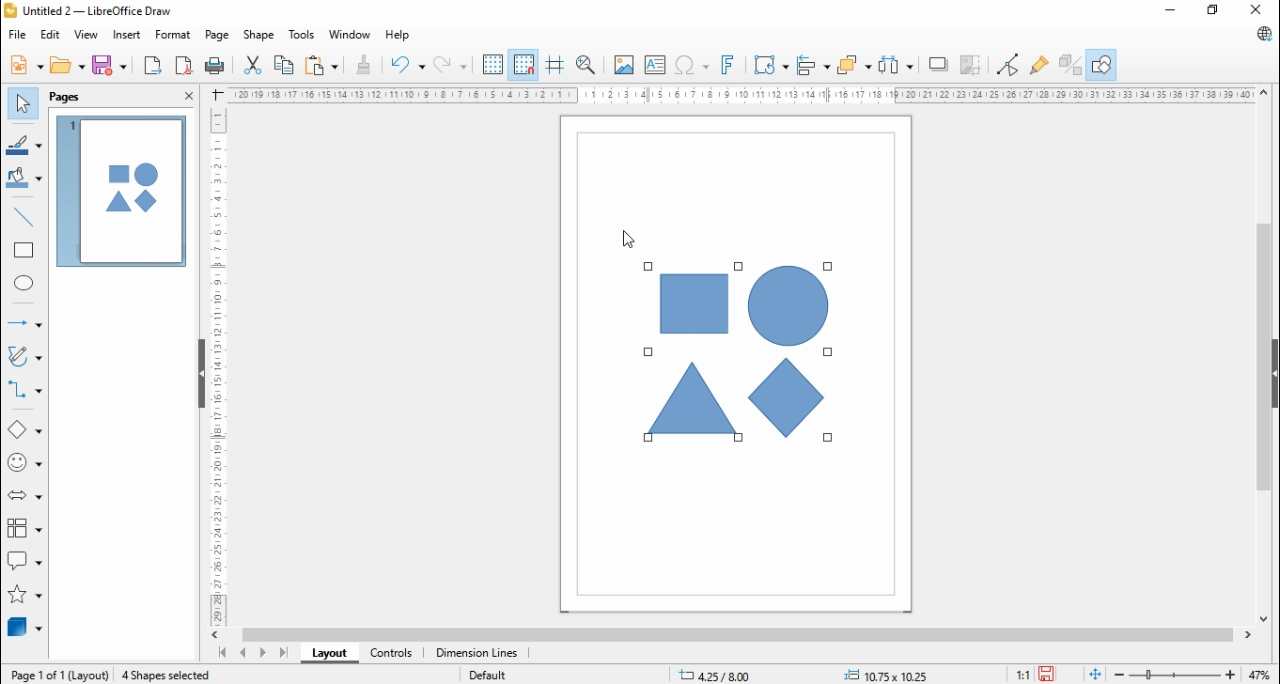 This screenshot has width=1280, height=684. What do you see at coordinates (655, 65) in the screenshot?
I see `insert textbox` at bounding box center [655, 65].